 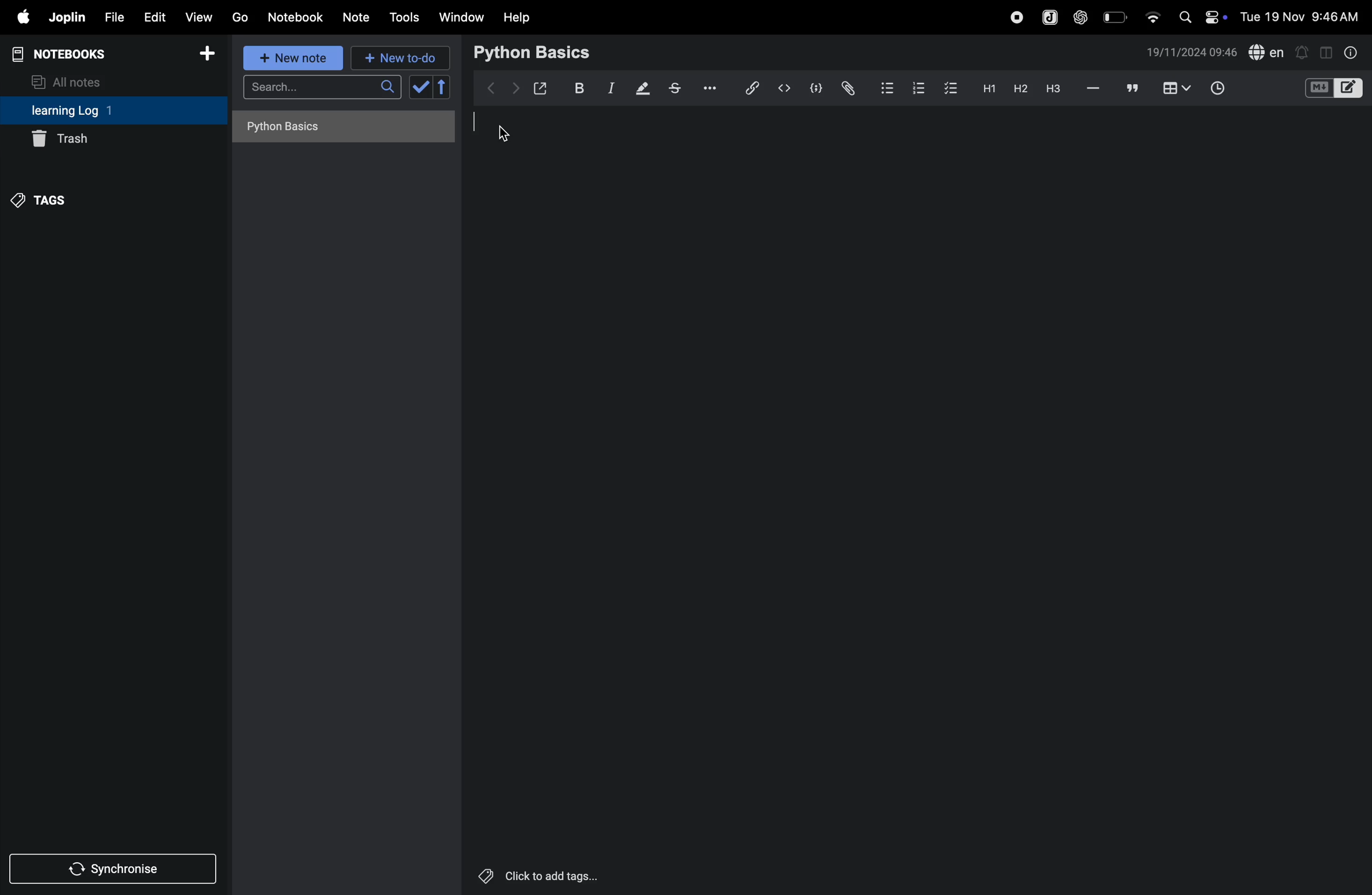 What do you see at coordinates (785, 88) in the screenshot?
I see `insert code` at bounding box center [785, 88].